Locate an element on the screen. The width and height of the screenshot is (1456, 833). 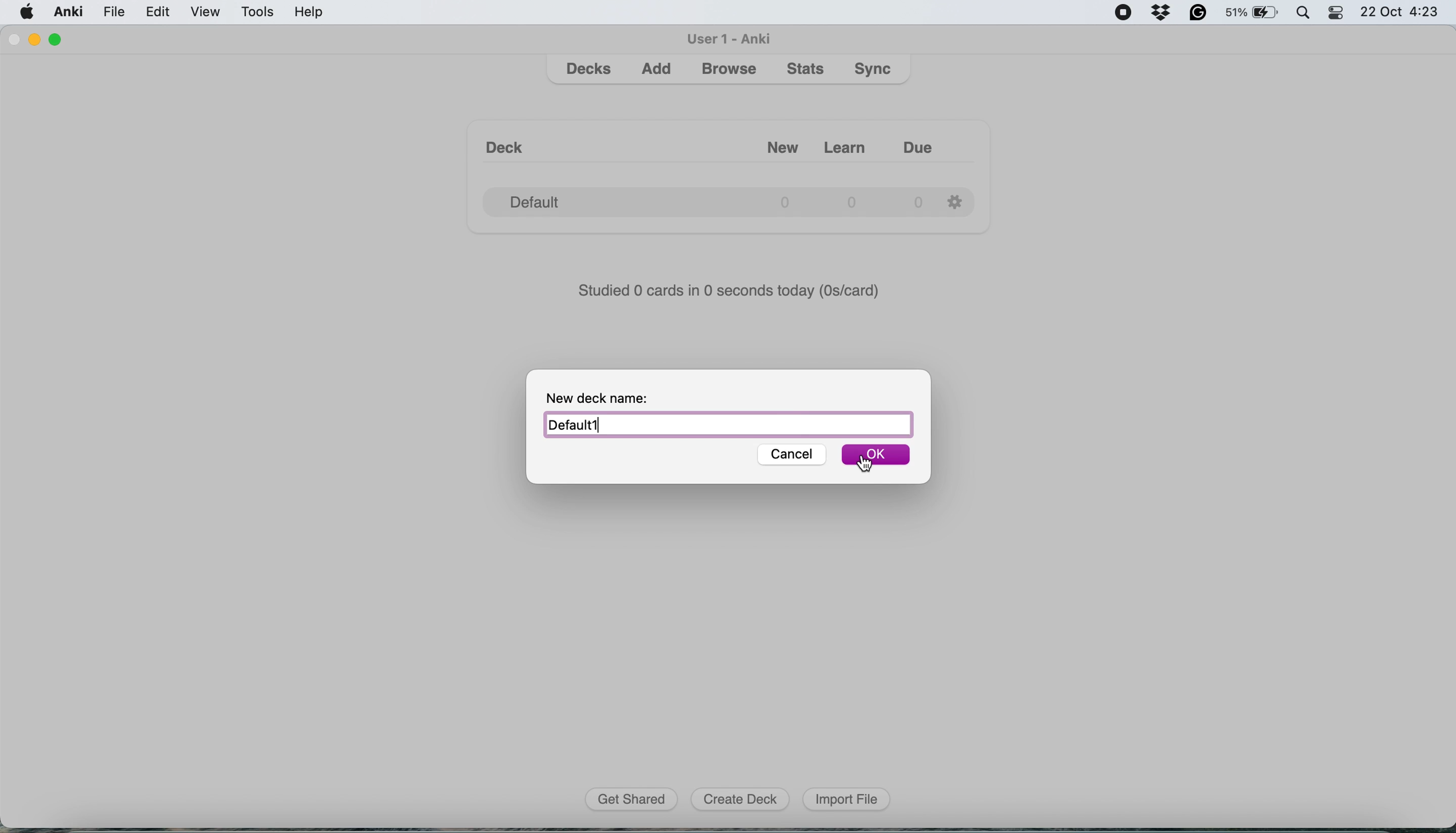
Default is located at coordinates (727, 425).